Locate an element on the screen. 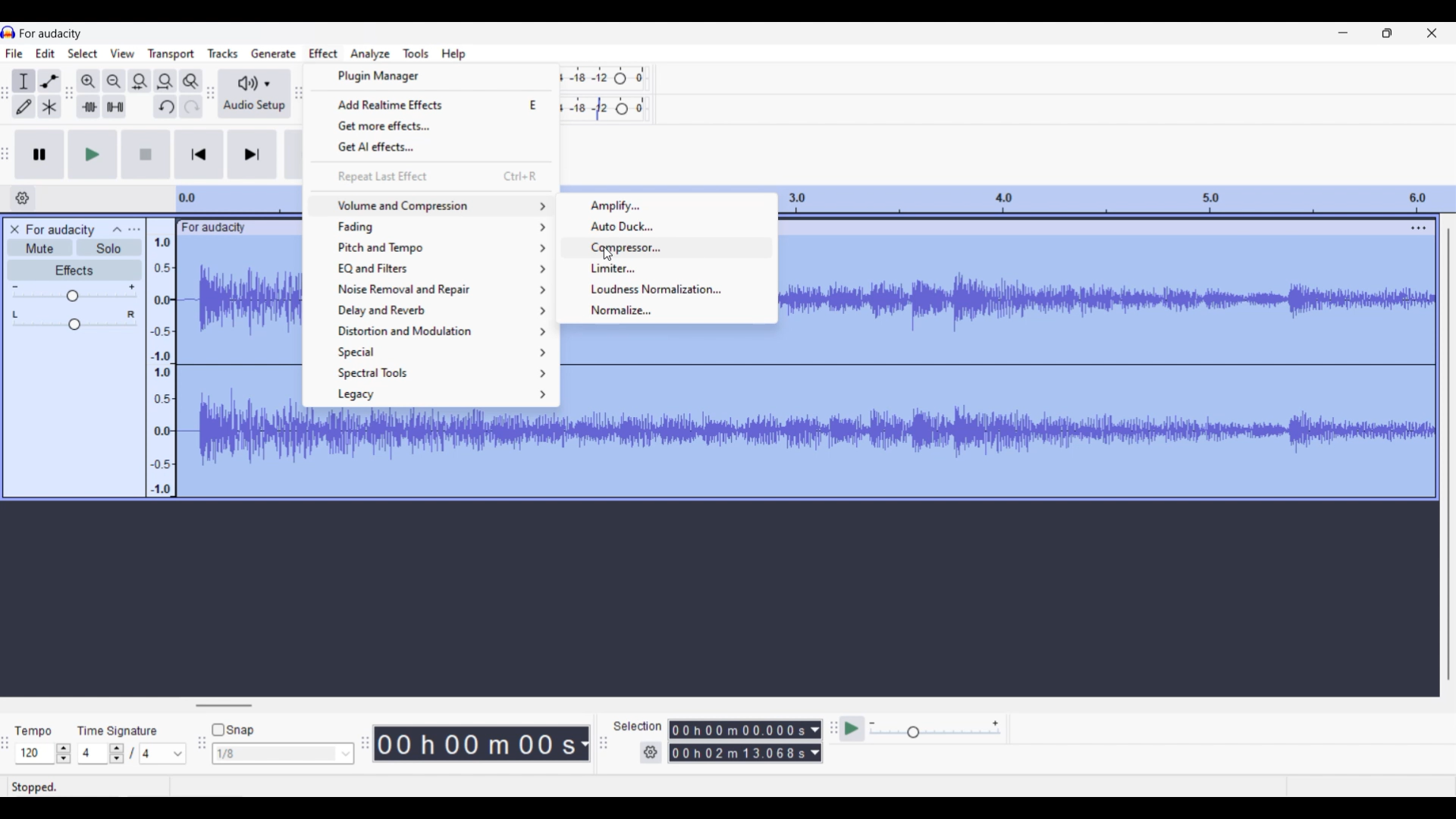 Image resolution: width=1456 pixels, height=819 pixels. EQ and filter is located at coordinates (431, 268).